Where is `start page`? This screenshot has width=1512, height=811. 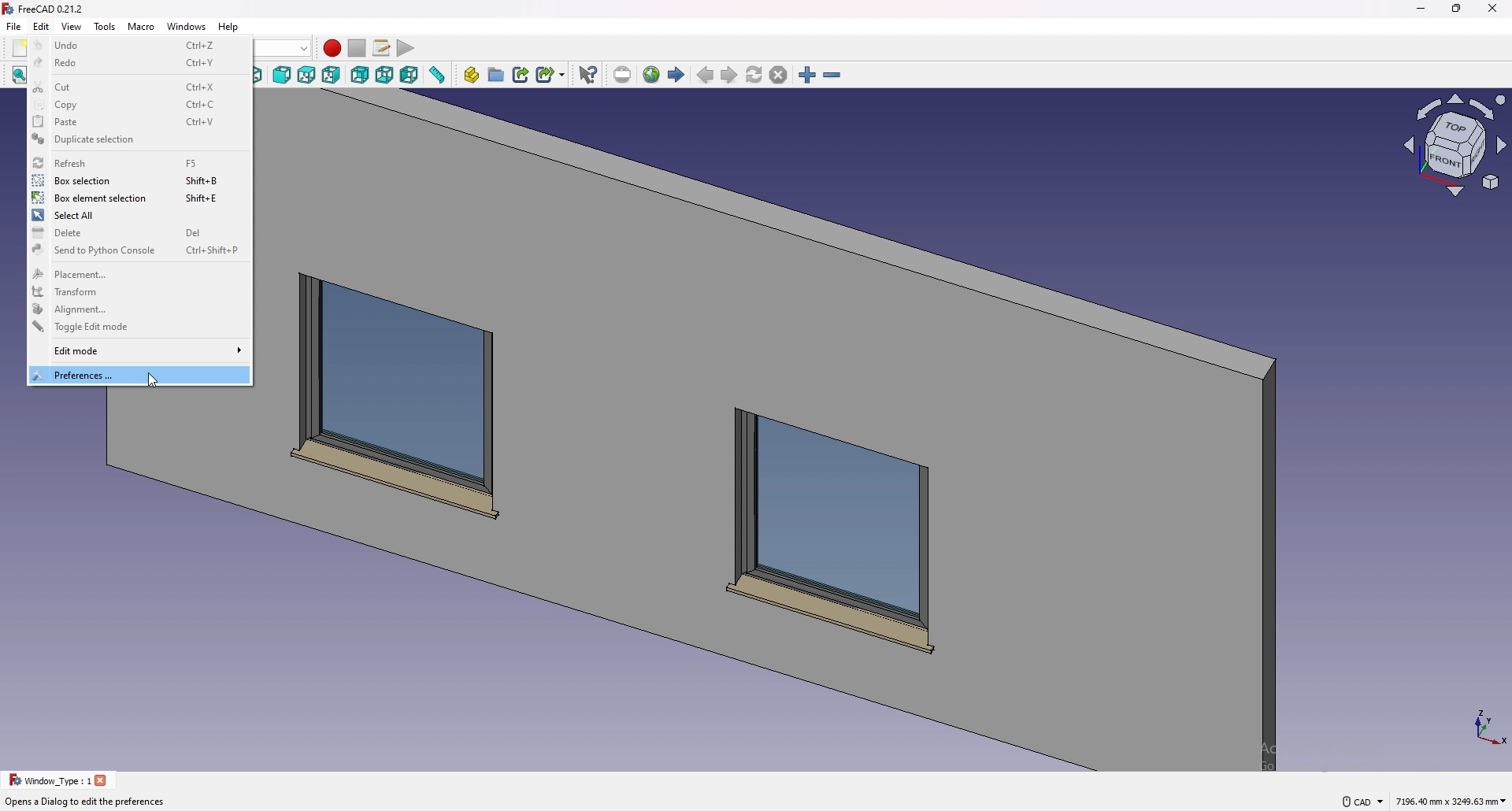 start page is located at coordinates (677, 75).